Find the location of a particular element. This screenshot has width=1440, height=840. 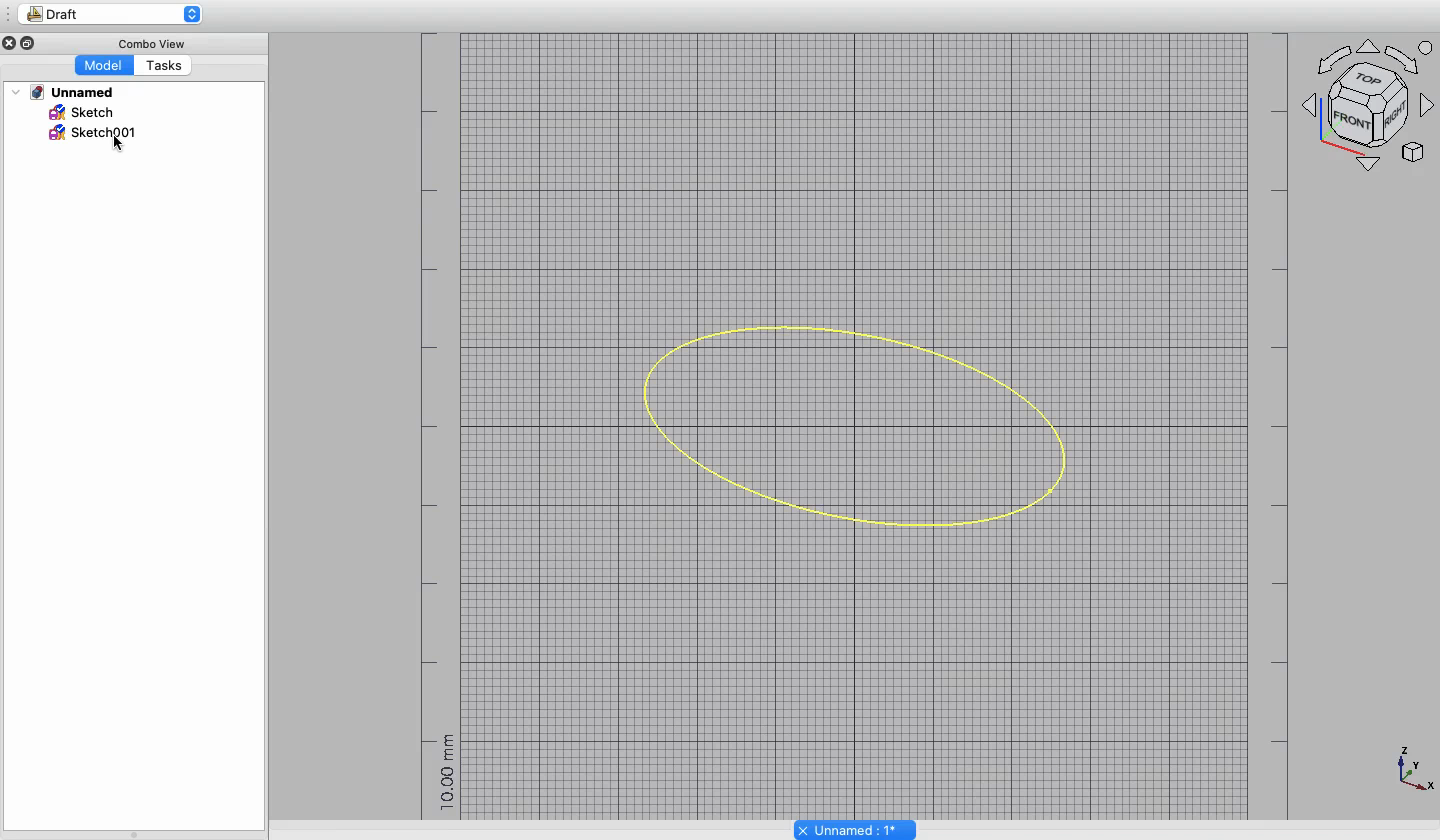

Sketch is located at coordinates (82, 112).